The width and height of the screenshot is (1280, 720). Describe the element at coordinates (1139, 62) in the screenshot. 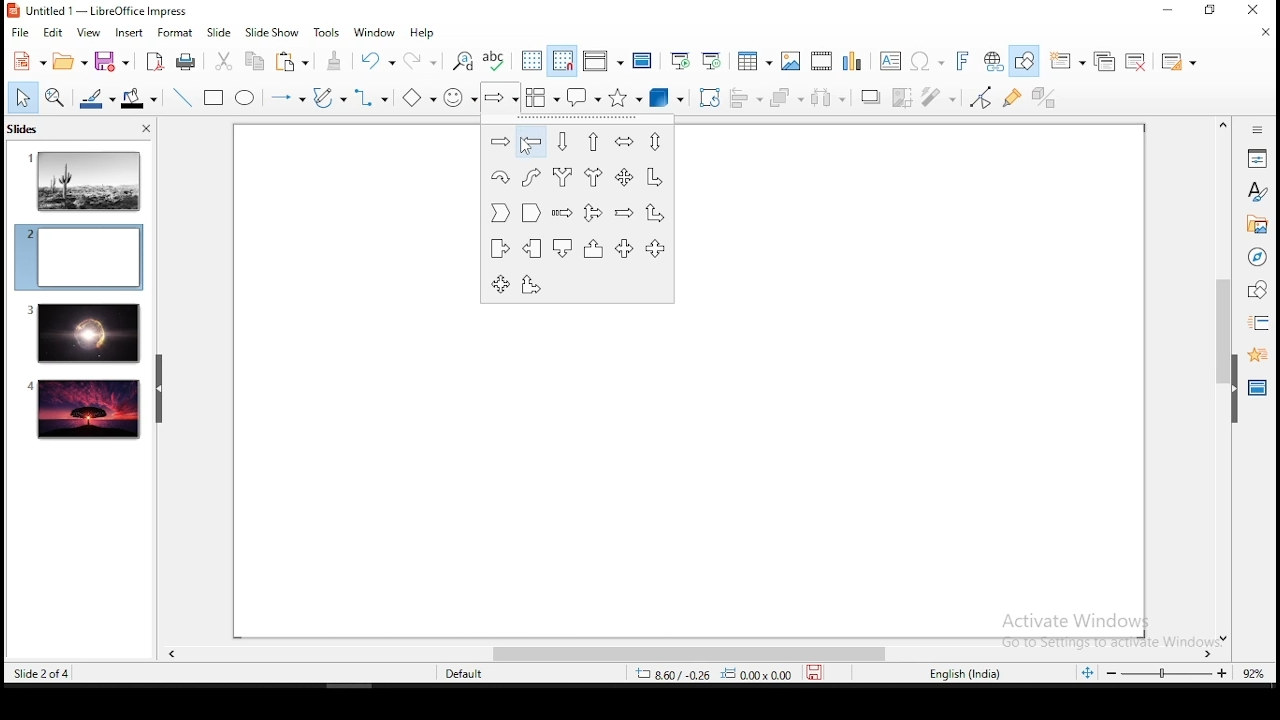

I see `delete slide` at that location.